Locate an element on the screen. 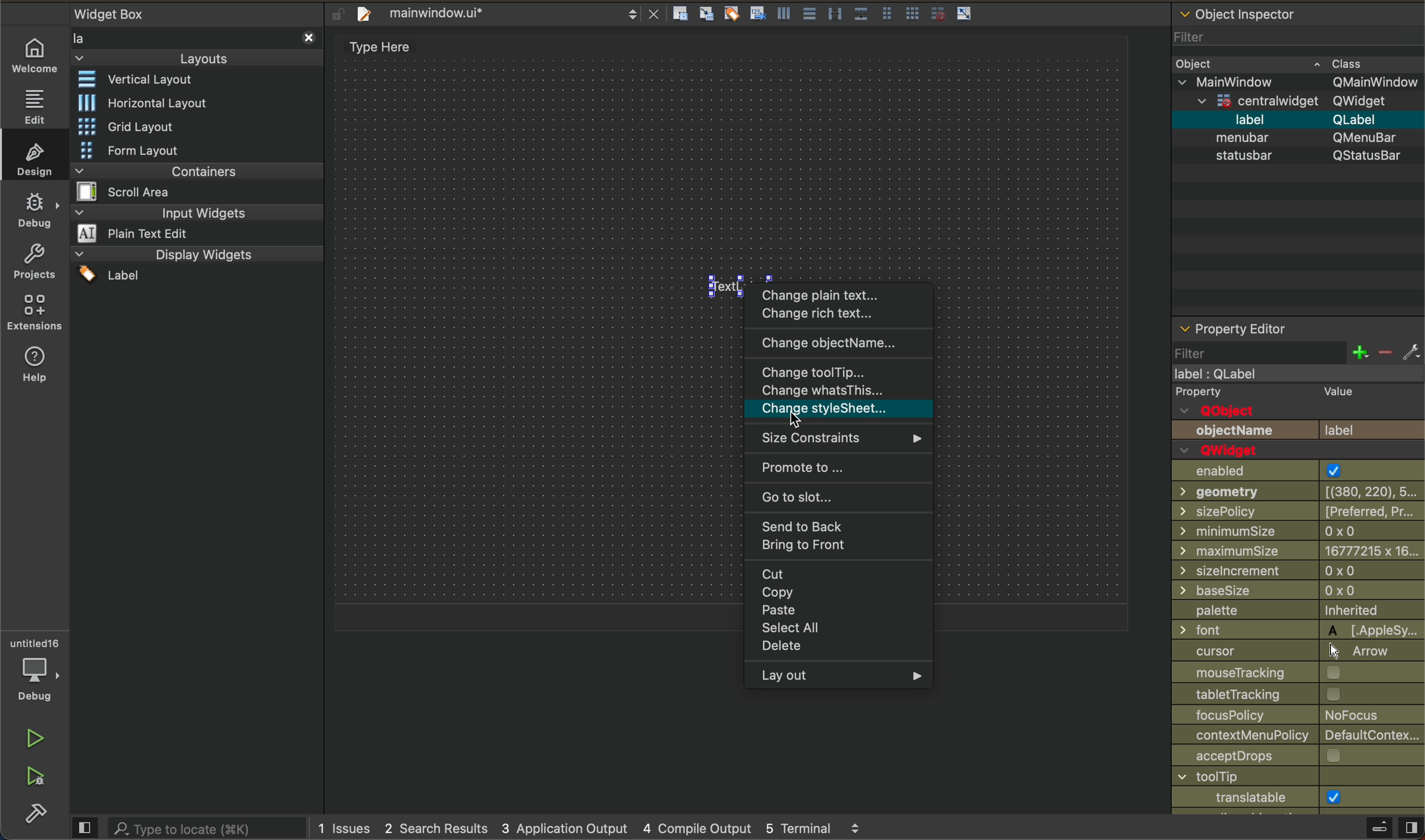 Image resolution: width=1425 pixels, height=840 pixels. layout actions is located at coordinates (834, 12).